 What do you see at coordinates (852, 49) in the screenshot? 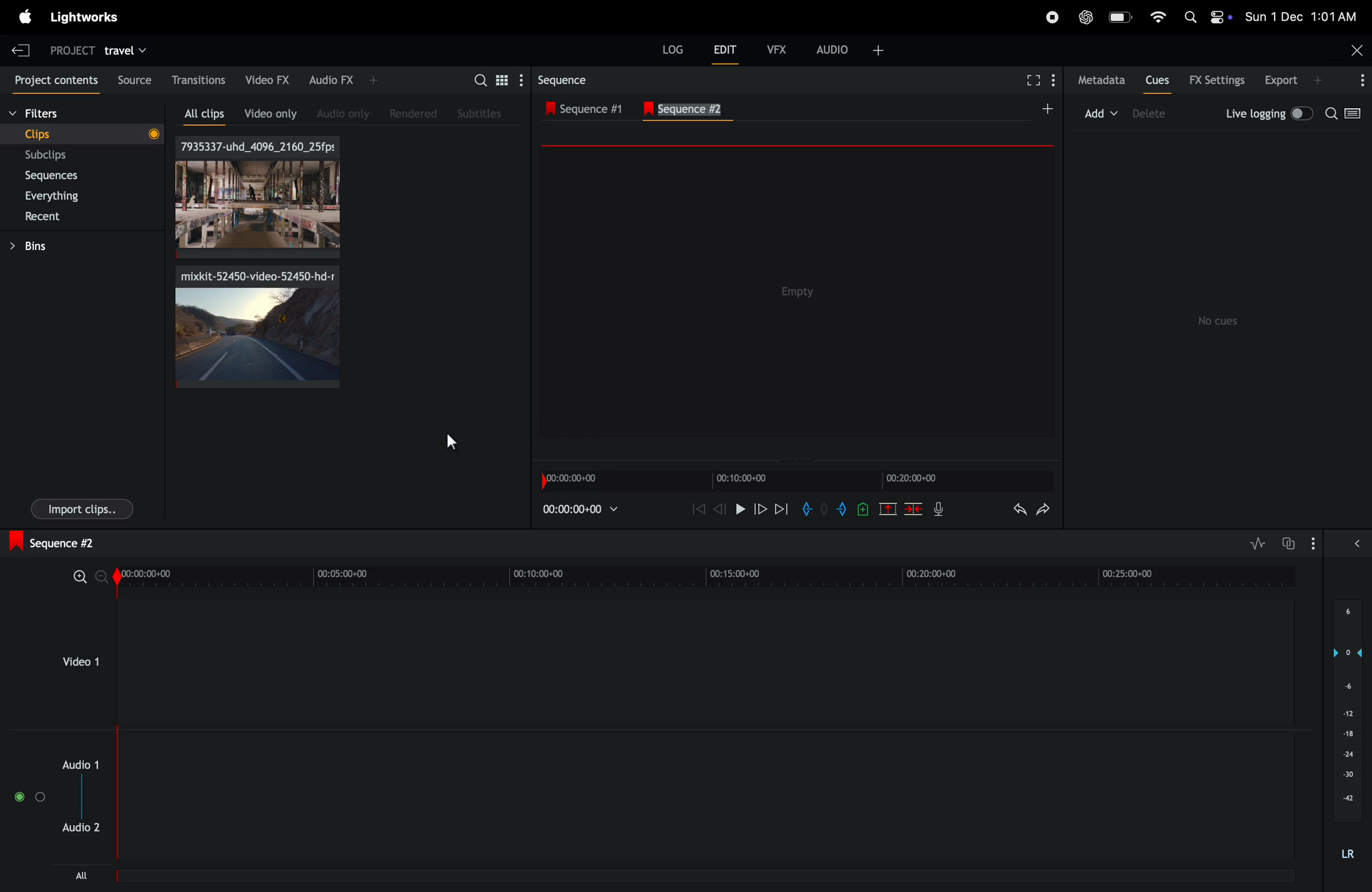
I see `audio` at bounding box center [852, 49].